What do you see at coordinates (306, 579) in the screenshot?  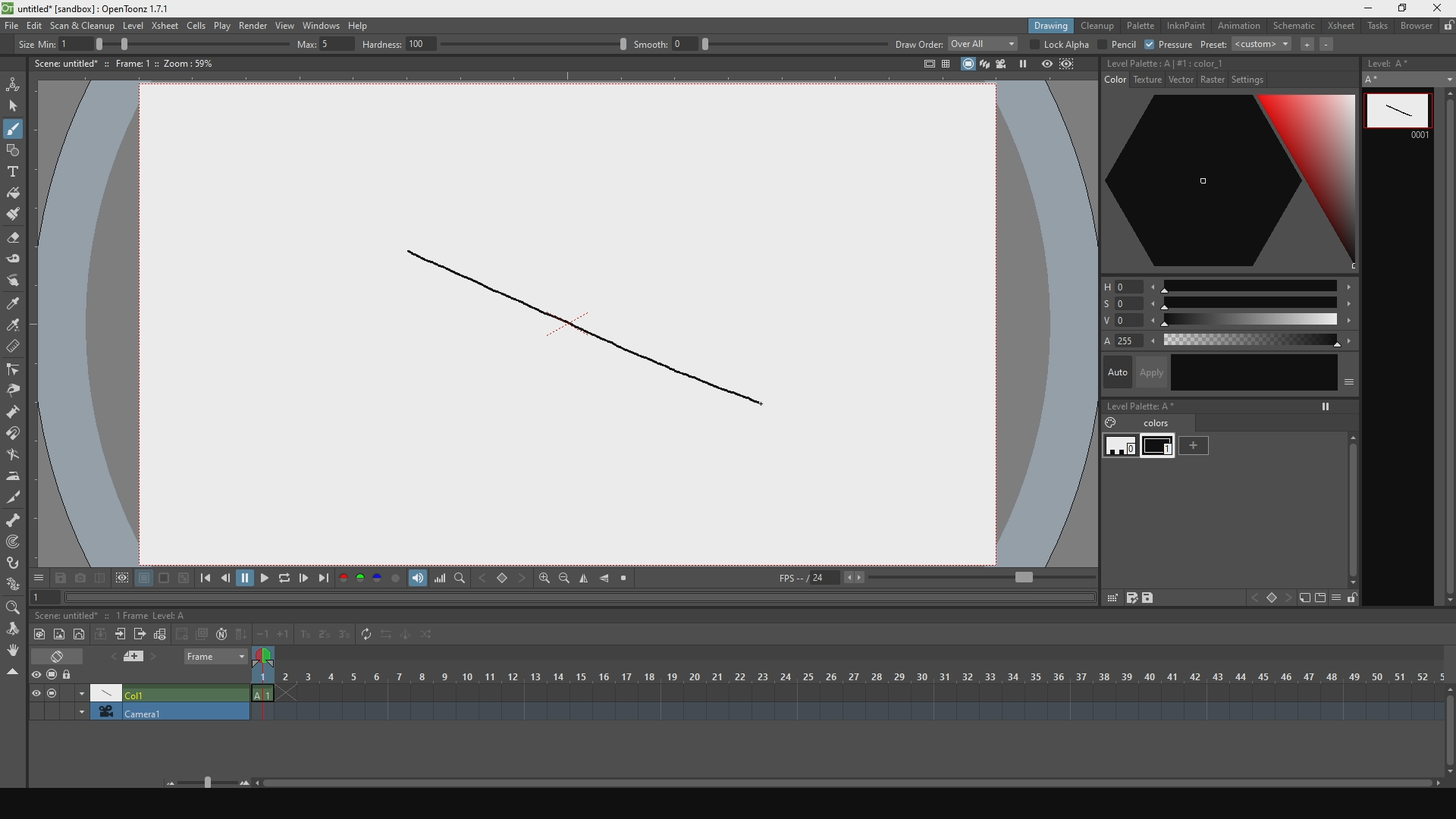 I see `go forwards` at bounding box center [306, 579].